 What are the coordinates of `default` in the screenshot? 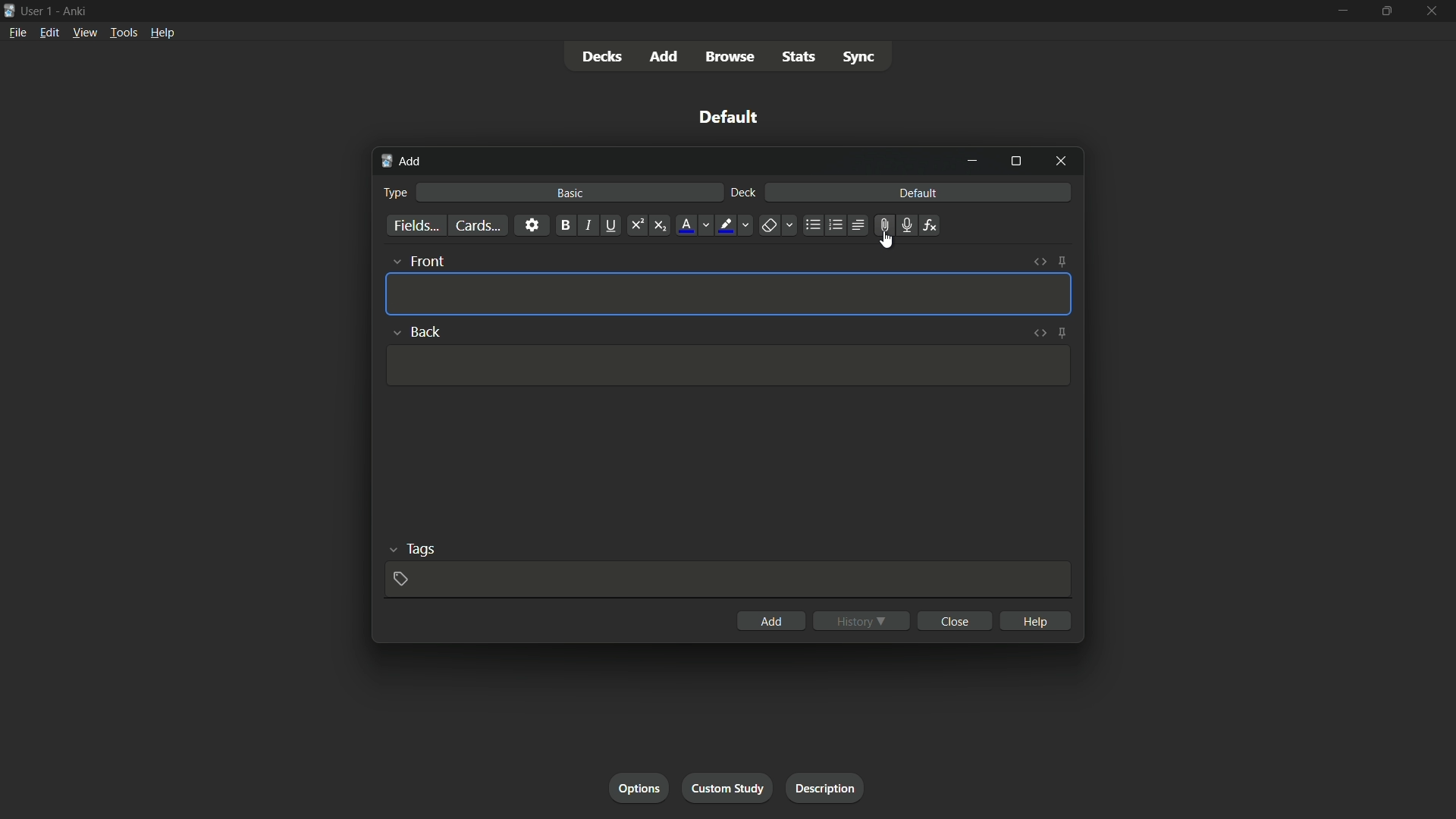 It's located at (918, 193).